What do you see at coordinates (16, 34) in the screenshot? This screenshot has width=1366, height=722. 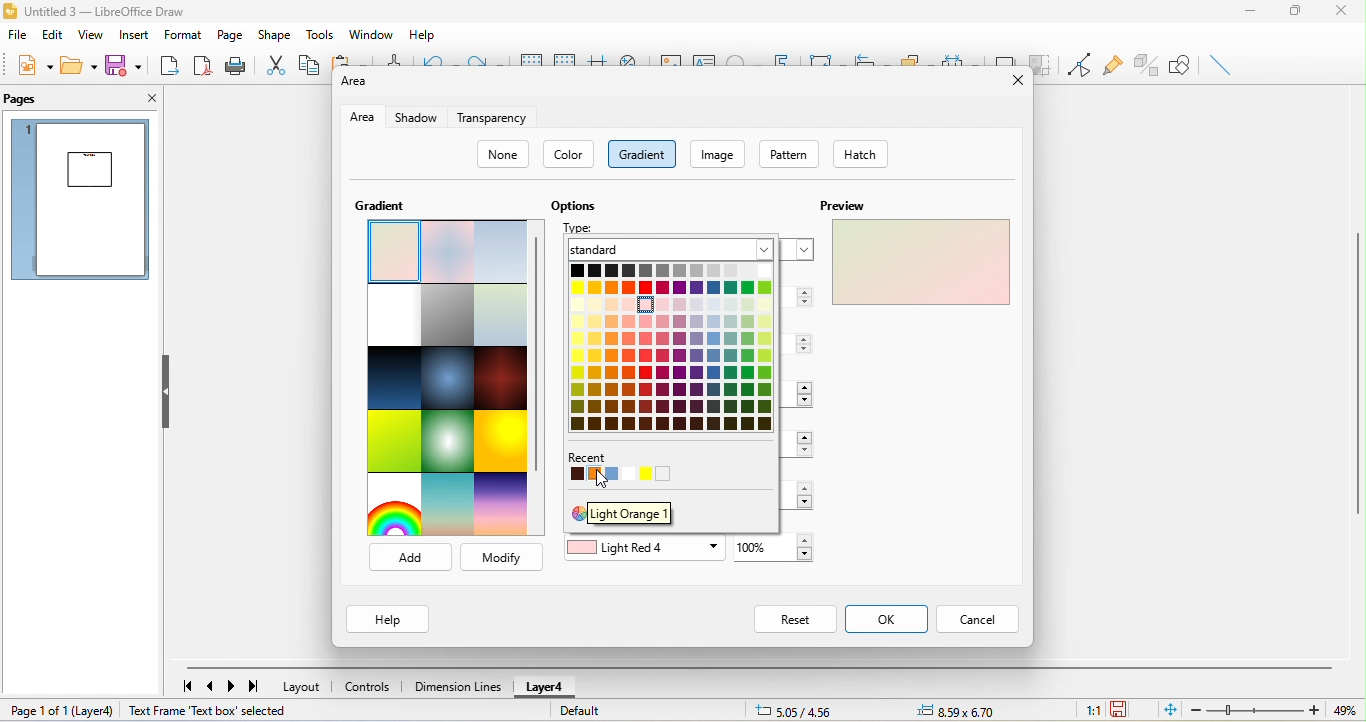 I see `file` at bounding box center [16, 34].